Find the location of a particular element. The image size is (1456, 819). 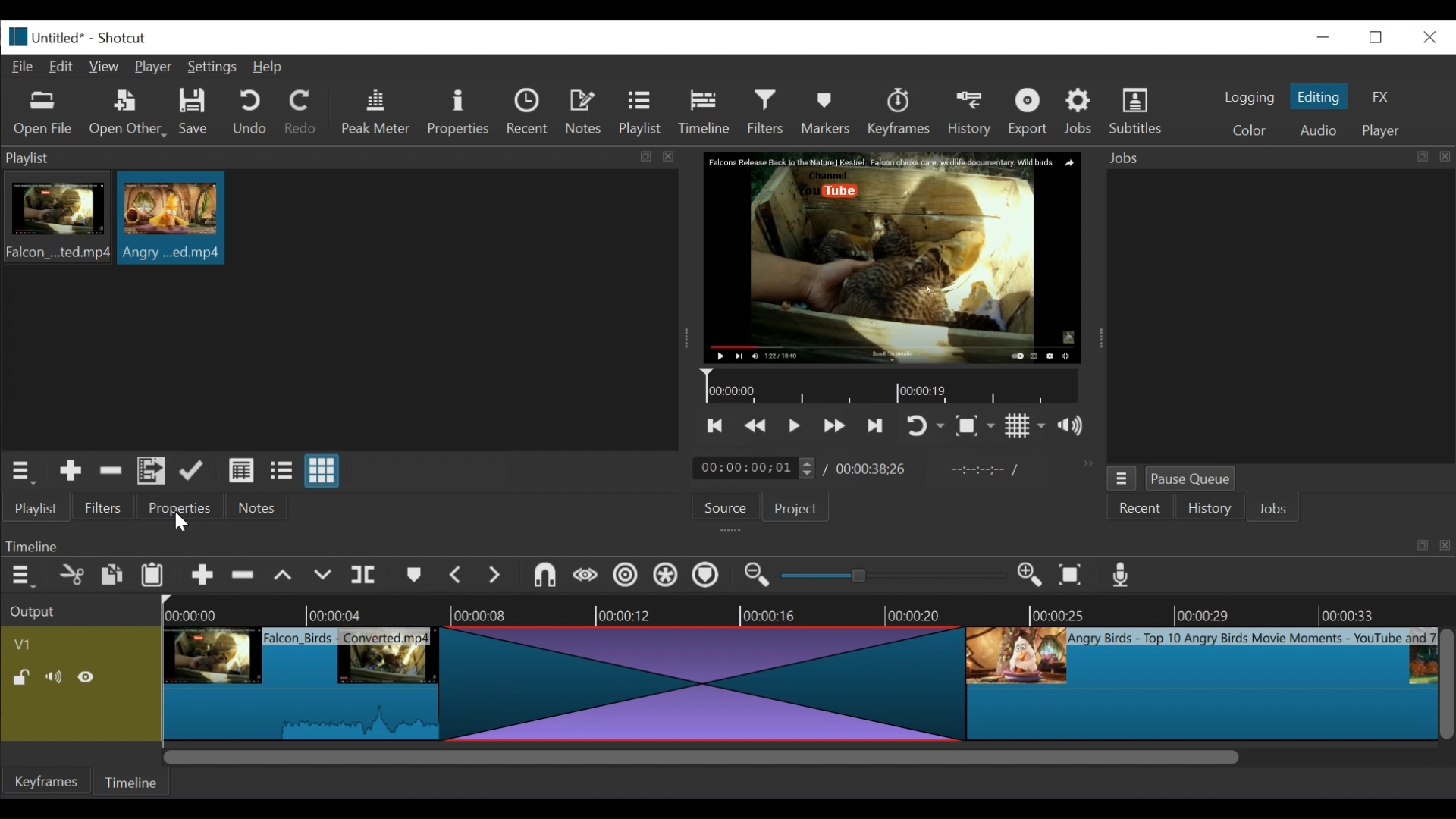

Edit is located at coordinates (64, 65).